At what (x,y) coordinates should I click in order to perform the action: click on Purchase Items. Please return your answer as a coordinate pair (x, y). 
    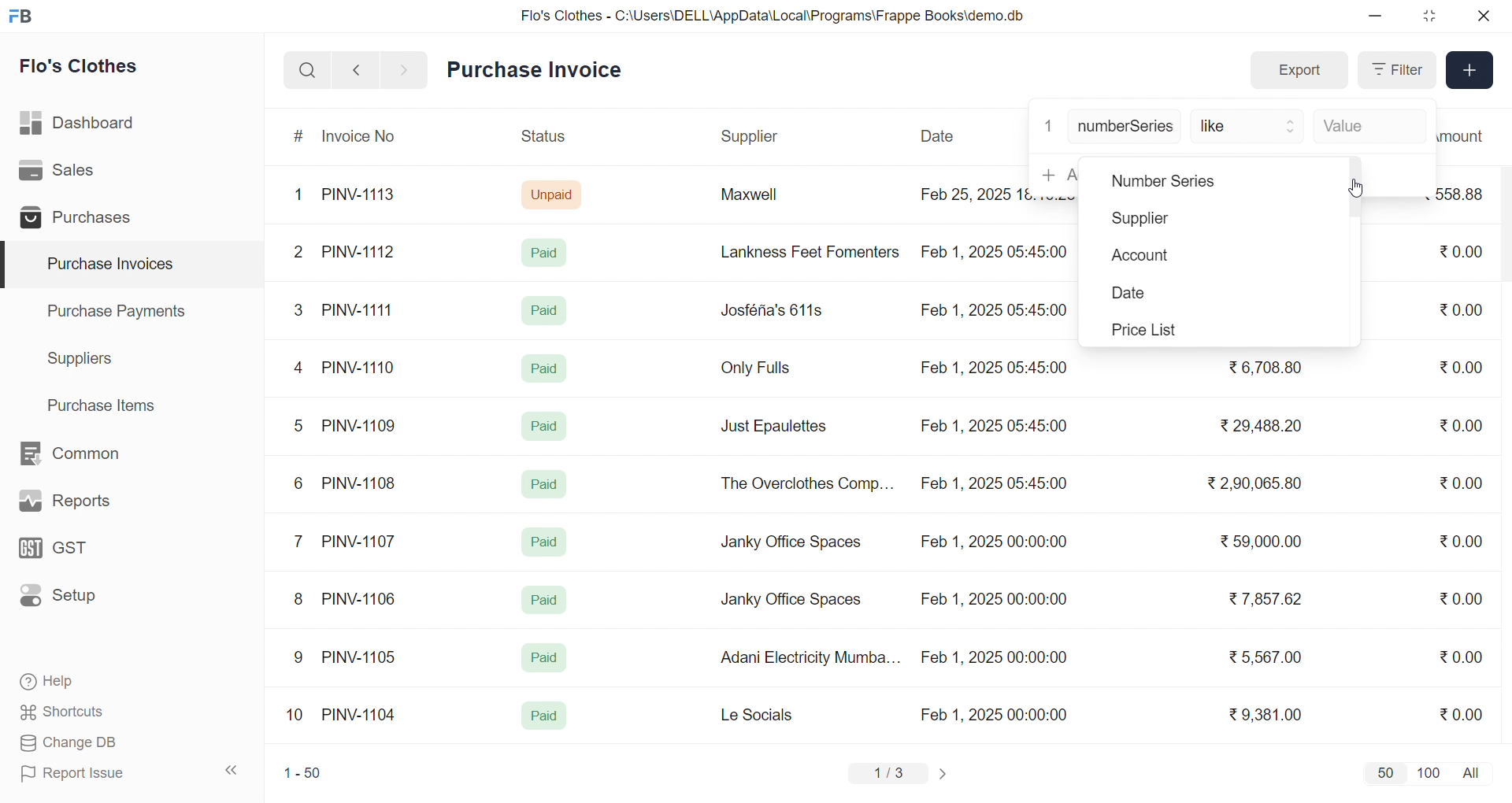
    Looking at the image, I should click on (107, 403).